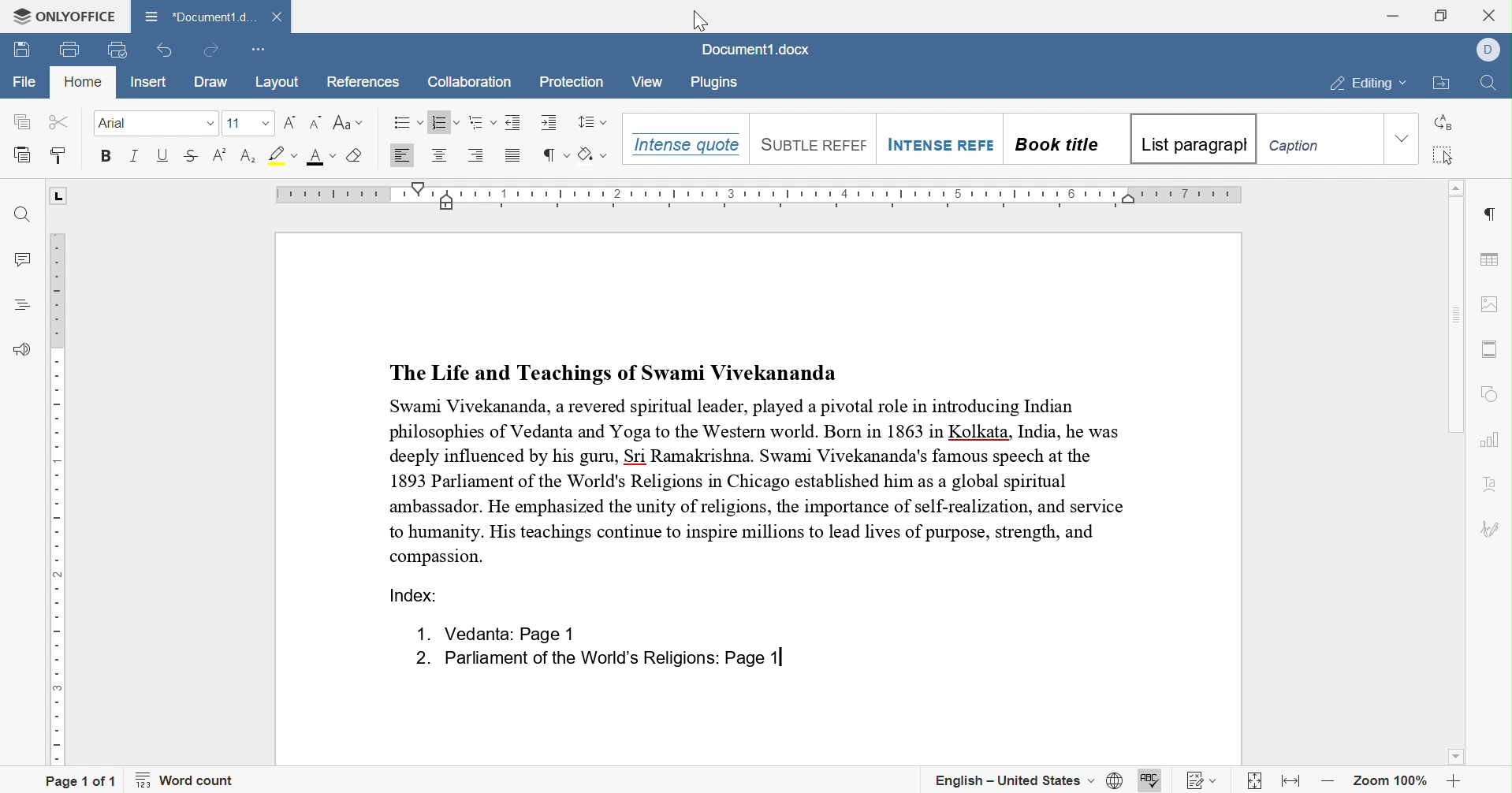  I want to click on file, so click(25, 82).